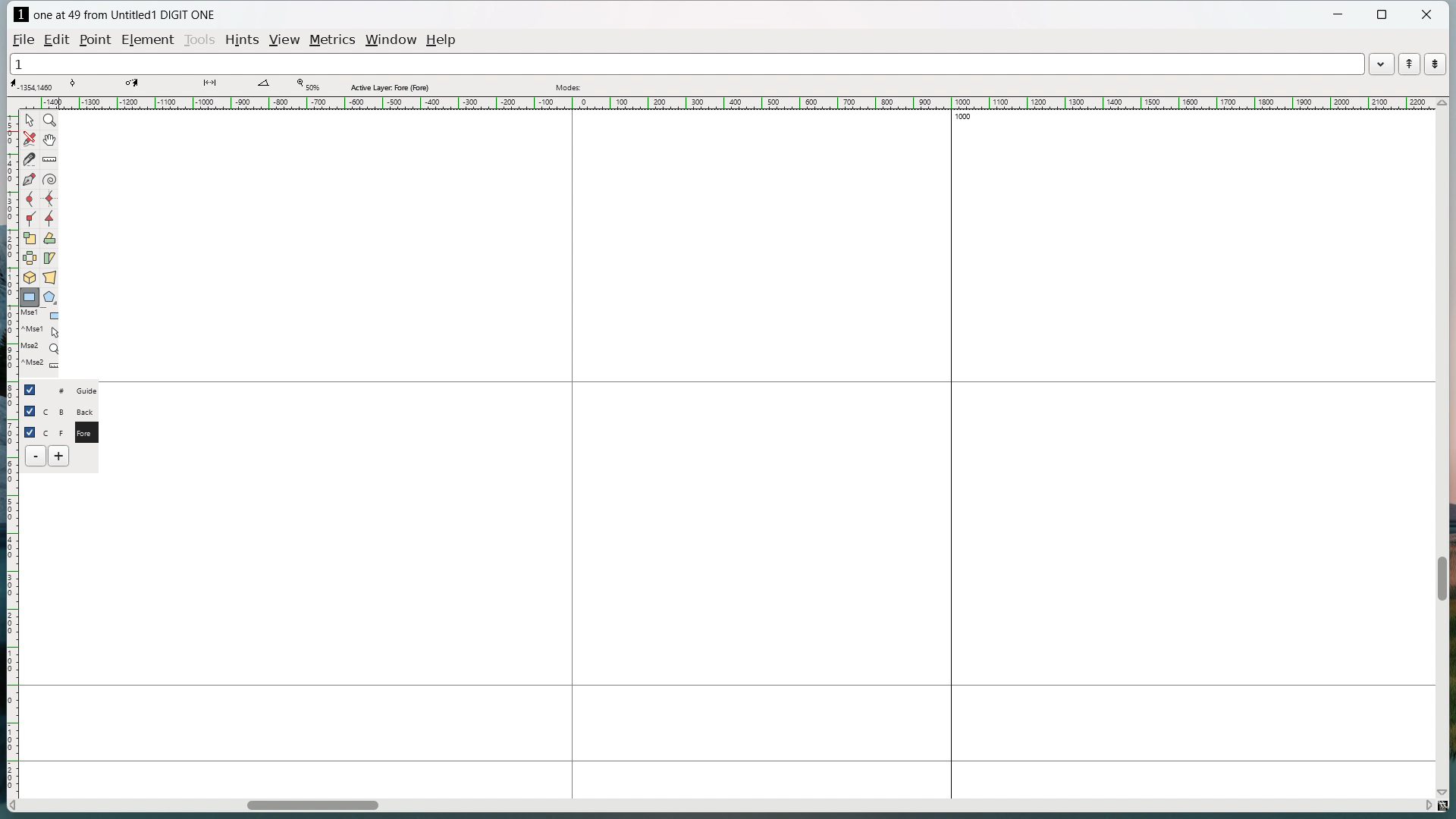  Describe the element at coordinates (72, 431) in the screenshot. I see `C F Fore` at that location.